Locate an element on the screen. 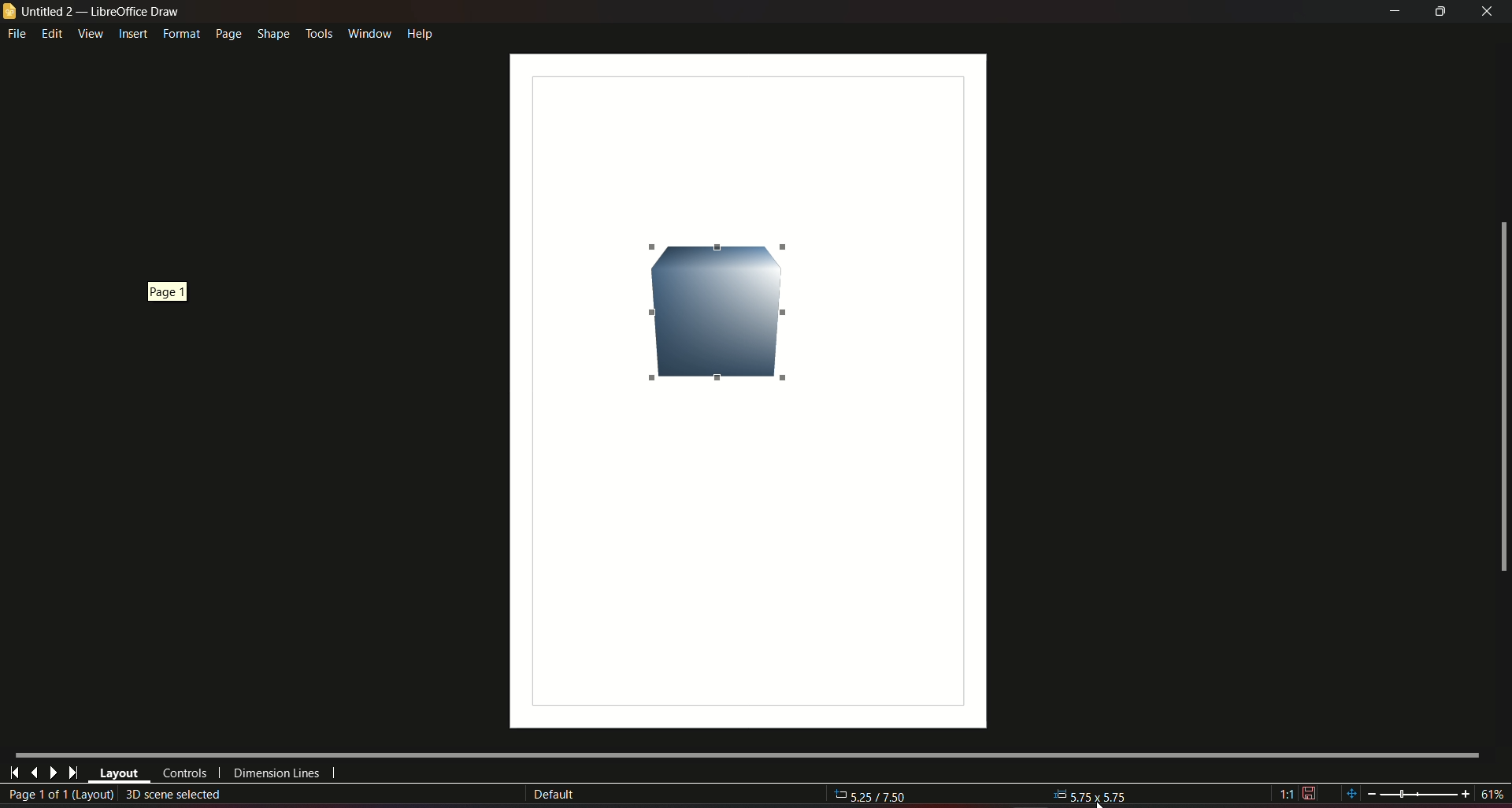 The width and height of the screenshot is (1512, 808). 5.25/7.50 is located at coordinates (880, 797).